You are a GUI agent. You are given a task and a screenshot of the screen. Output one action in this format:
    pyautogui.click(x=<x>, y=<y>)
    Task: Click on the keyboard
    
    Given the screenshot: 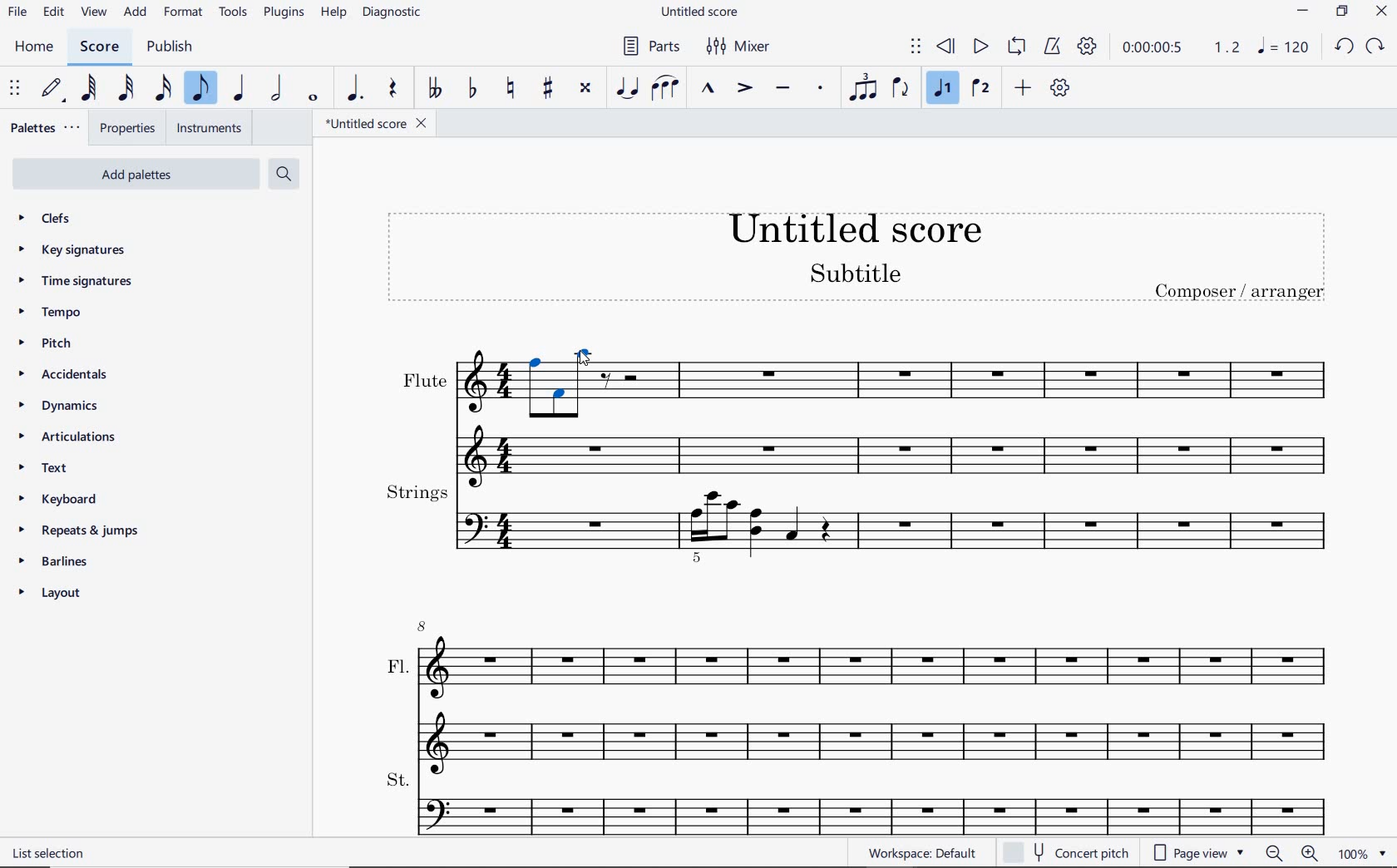 What is the action you would take?
    pyautogui.click(x=63, y=500)
    